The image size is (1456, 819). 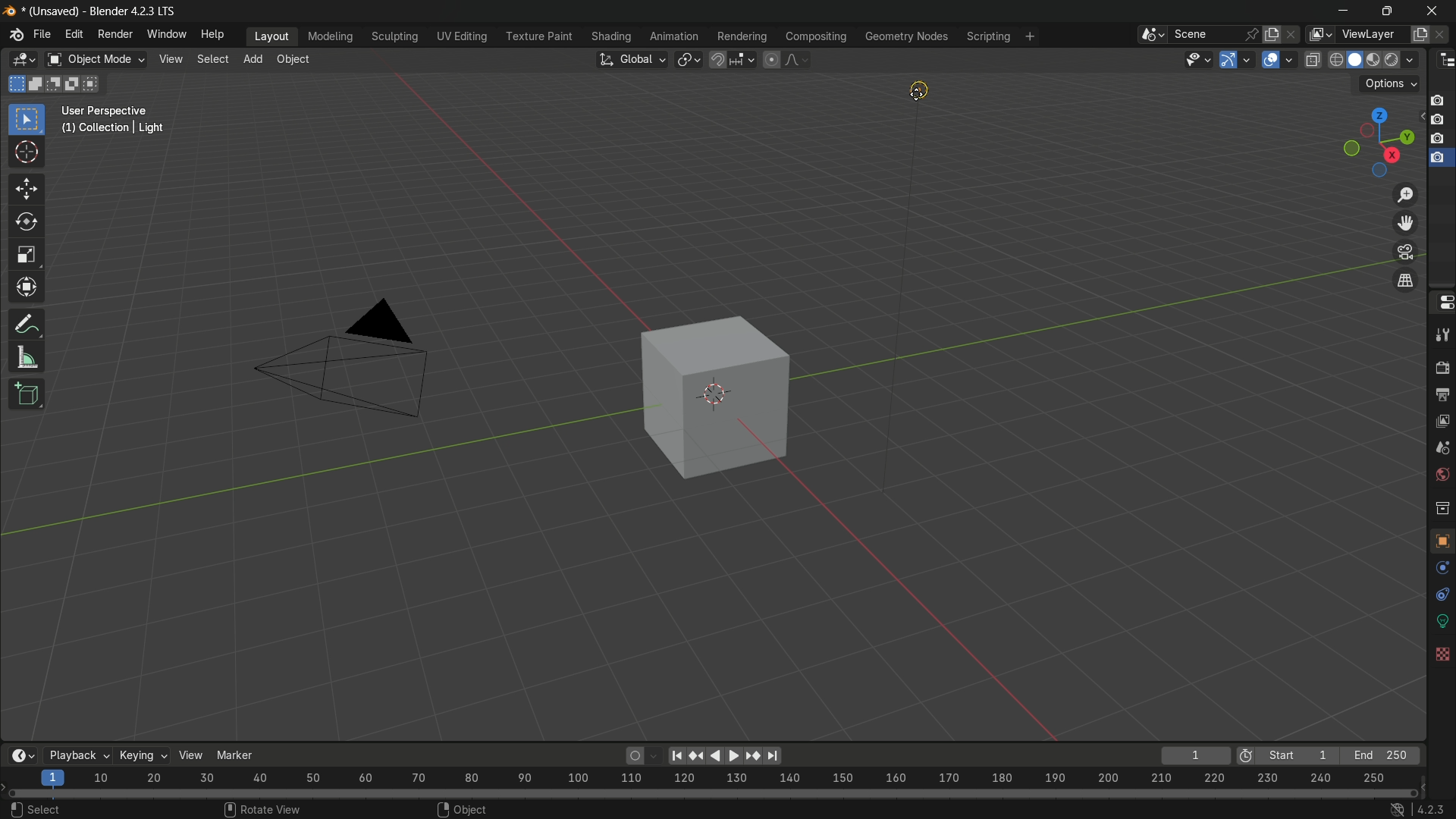 What do you see at coordinates (1031, 36) in the screenshot?
I see `add workspace` at bounding box center [1031, 36].